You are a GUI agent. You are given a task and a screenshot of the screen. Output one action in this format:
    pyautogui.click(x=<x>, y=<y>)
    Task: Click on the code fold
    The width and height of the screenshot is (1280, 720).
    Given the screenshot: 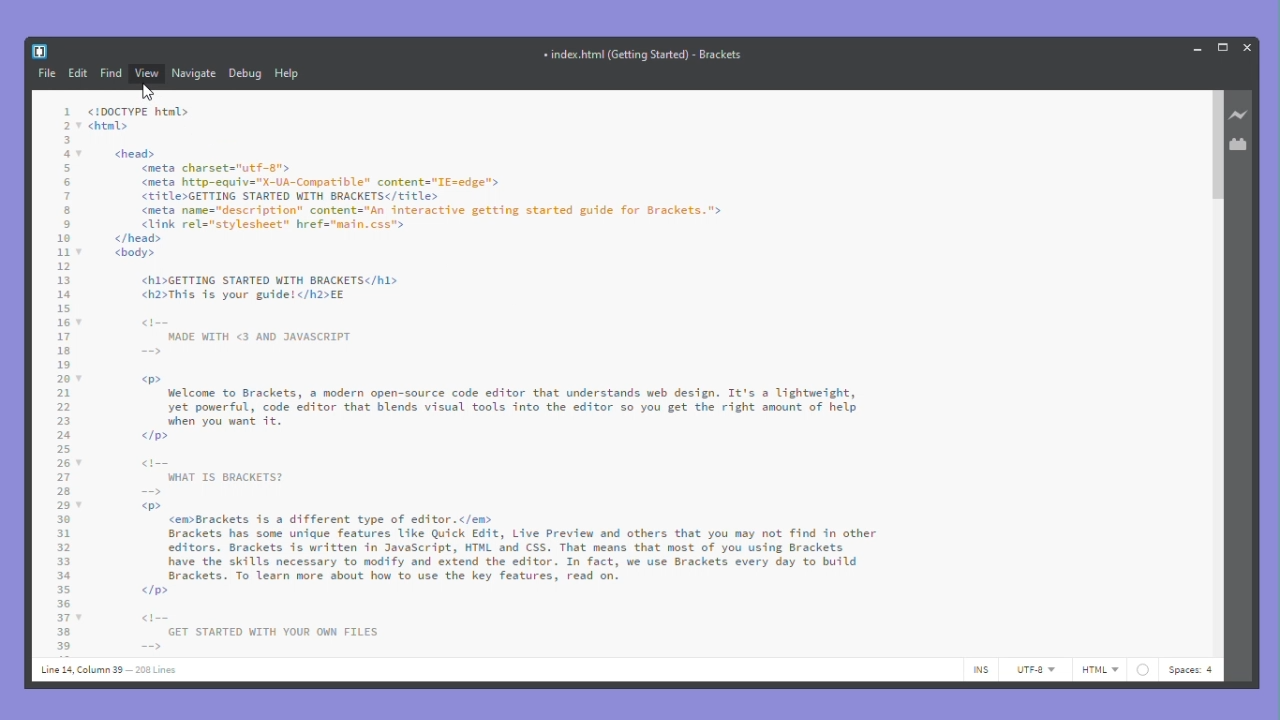 What is the action you would take?
    pyautogui.click(x=80, y=506)
    